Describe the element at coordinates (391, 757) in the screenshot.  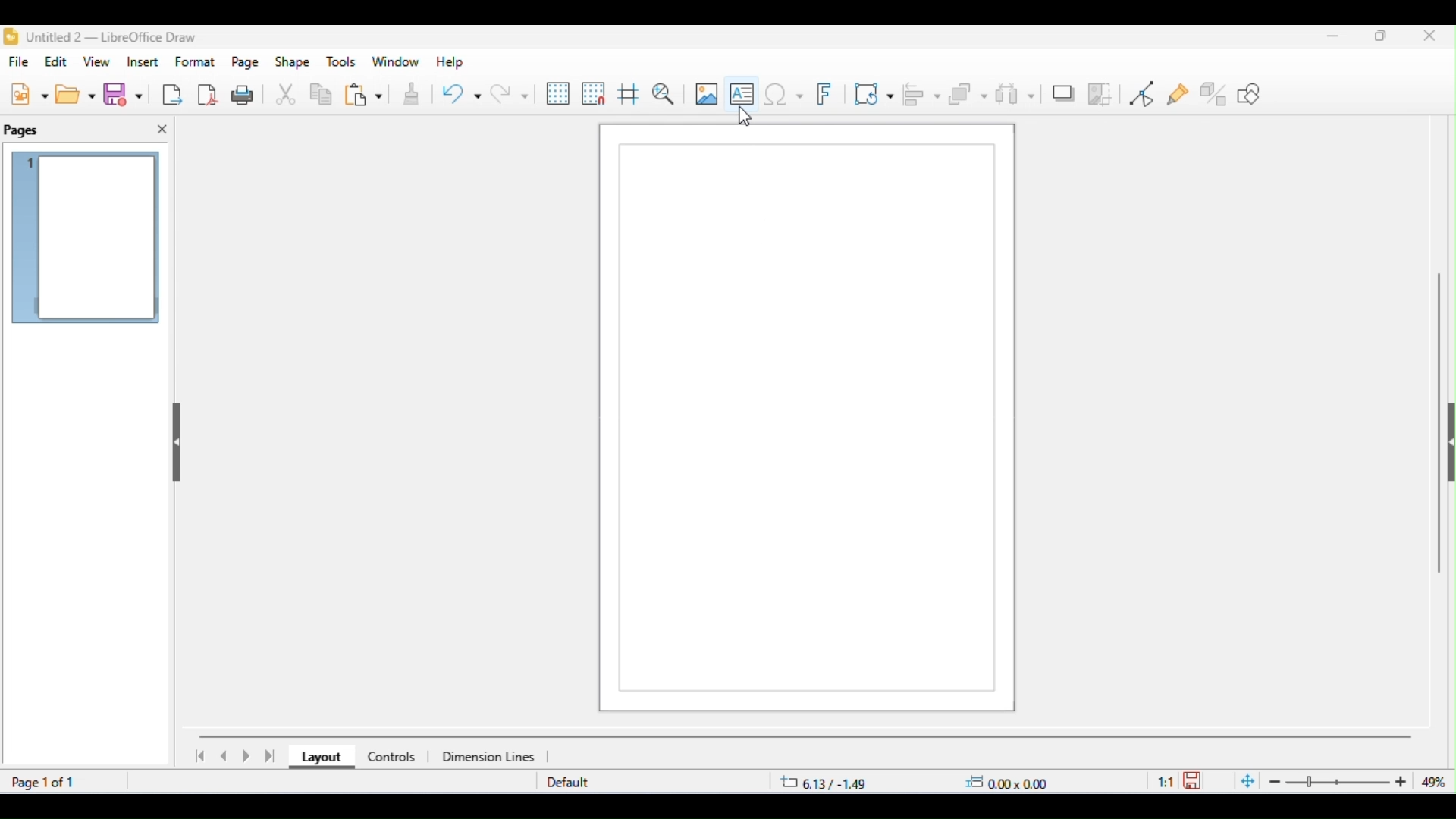
I see `controls` at that location.